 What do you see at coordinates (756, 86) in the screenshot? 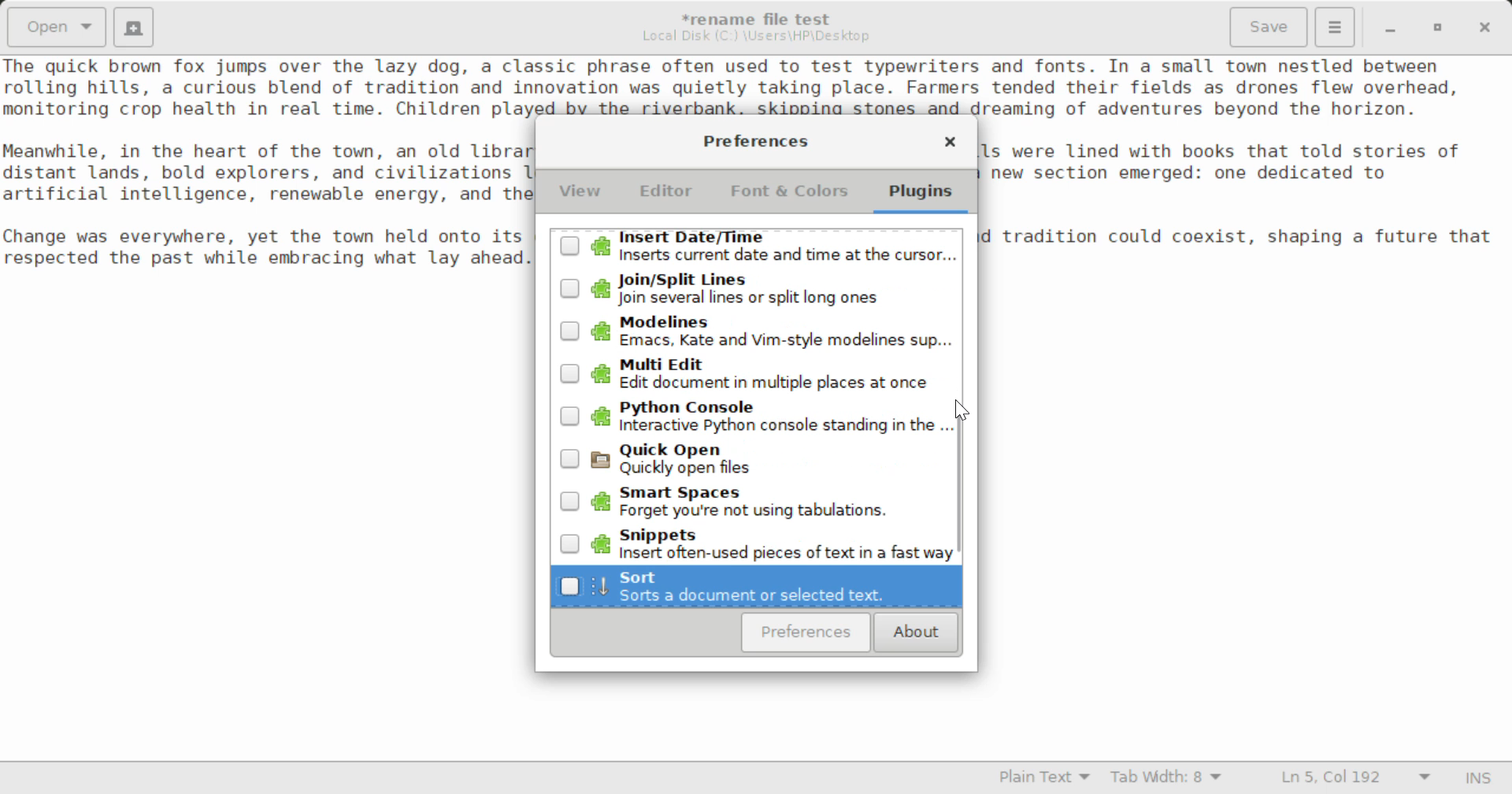
I see `Sample text about a charming town` at bounding box center [756, 86].